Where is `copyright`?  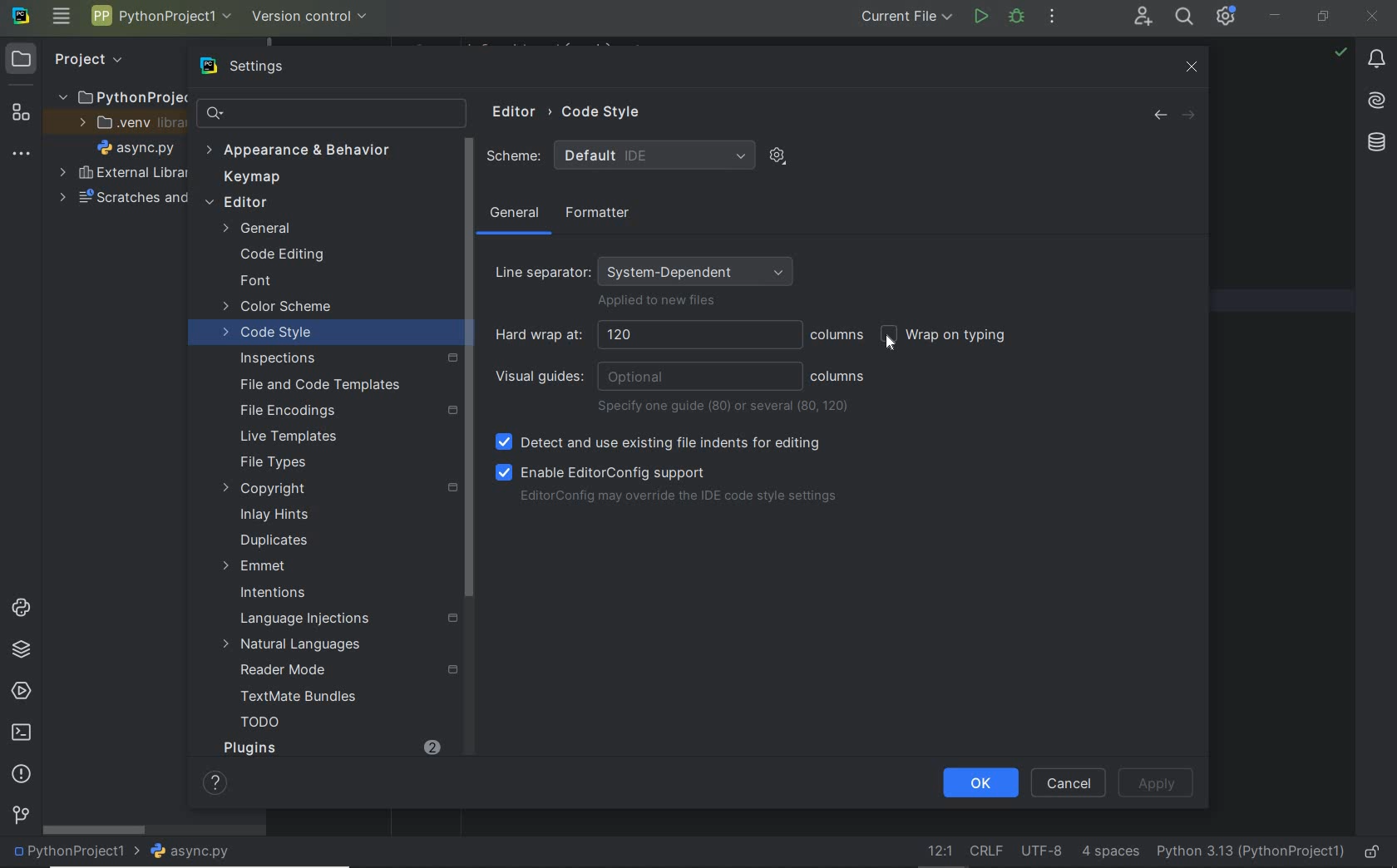 copyright is located at coordinates (335, 489).